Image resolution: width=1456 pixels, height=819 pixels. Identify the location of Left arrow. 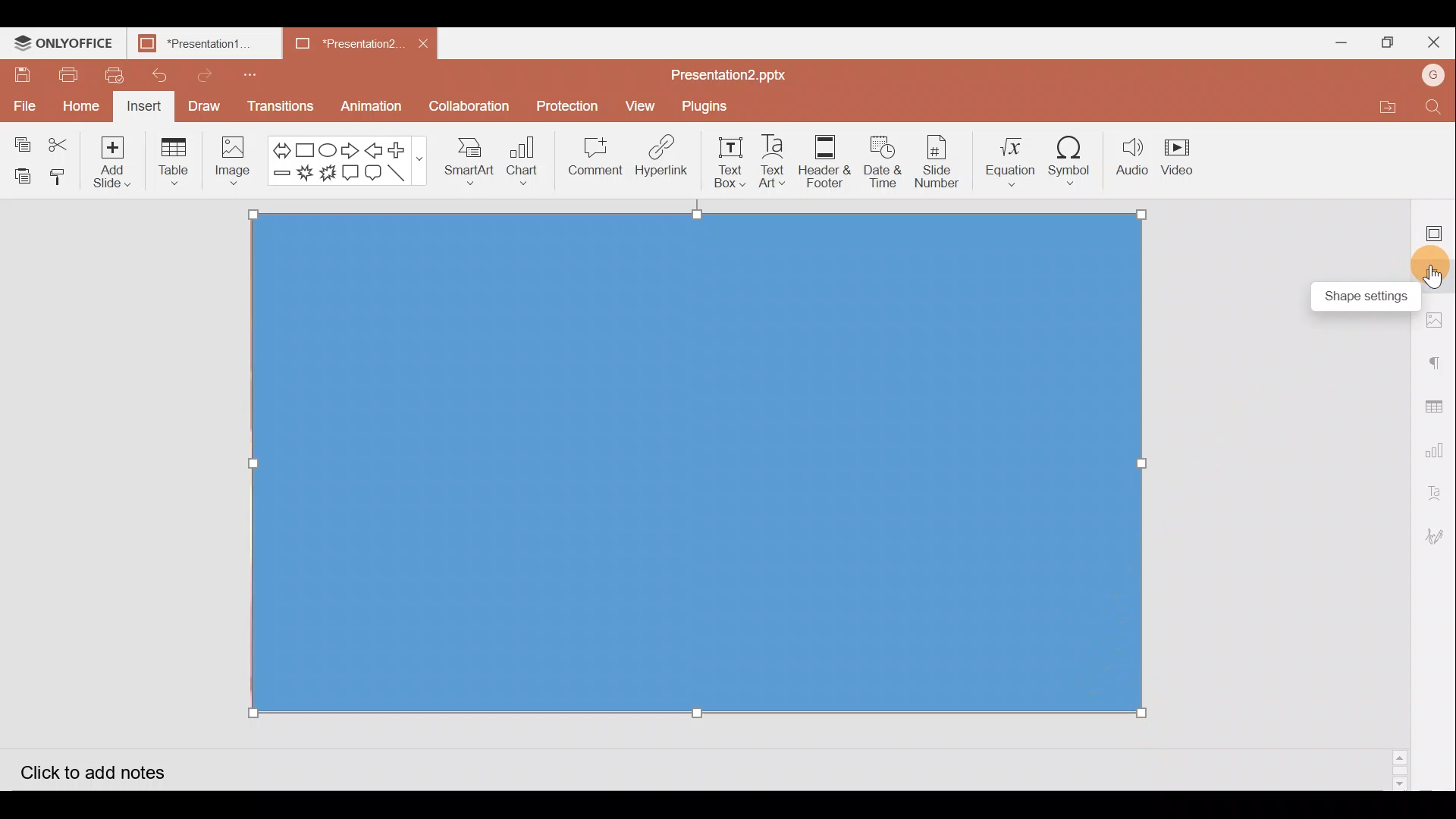
(374, 149).